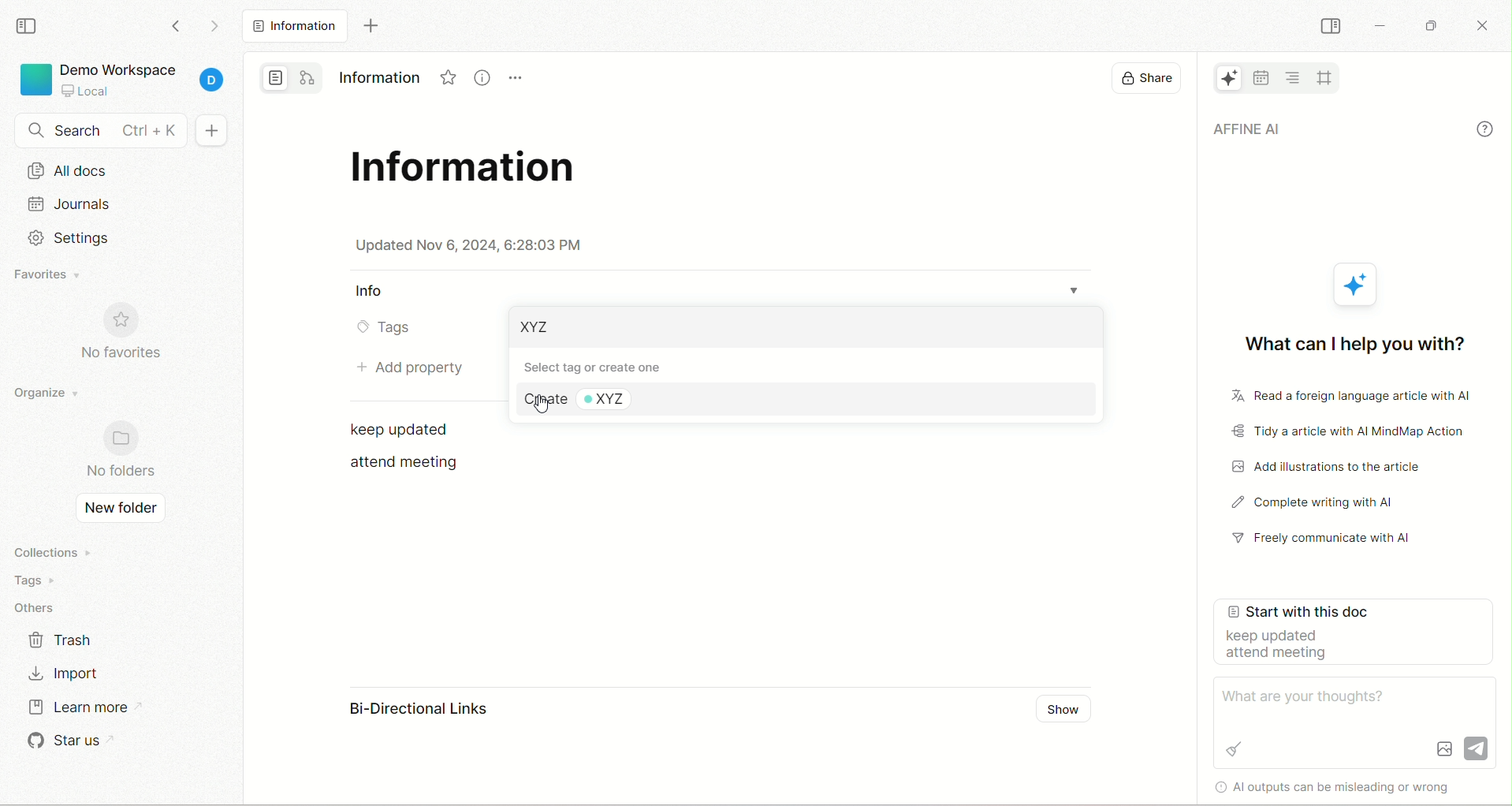  I want to click on Information, so click(378, 75).